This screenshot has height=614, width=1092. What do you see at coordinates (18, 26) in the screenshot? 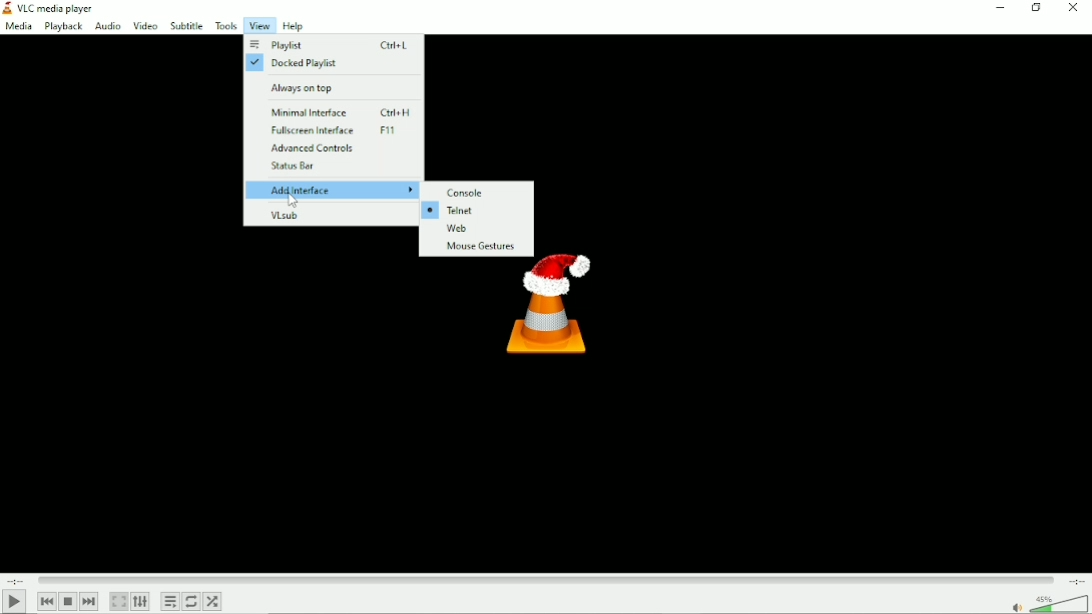
I see `Media` at bounding box center [18, 26].